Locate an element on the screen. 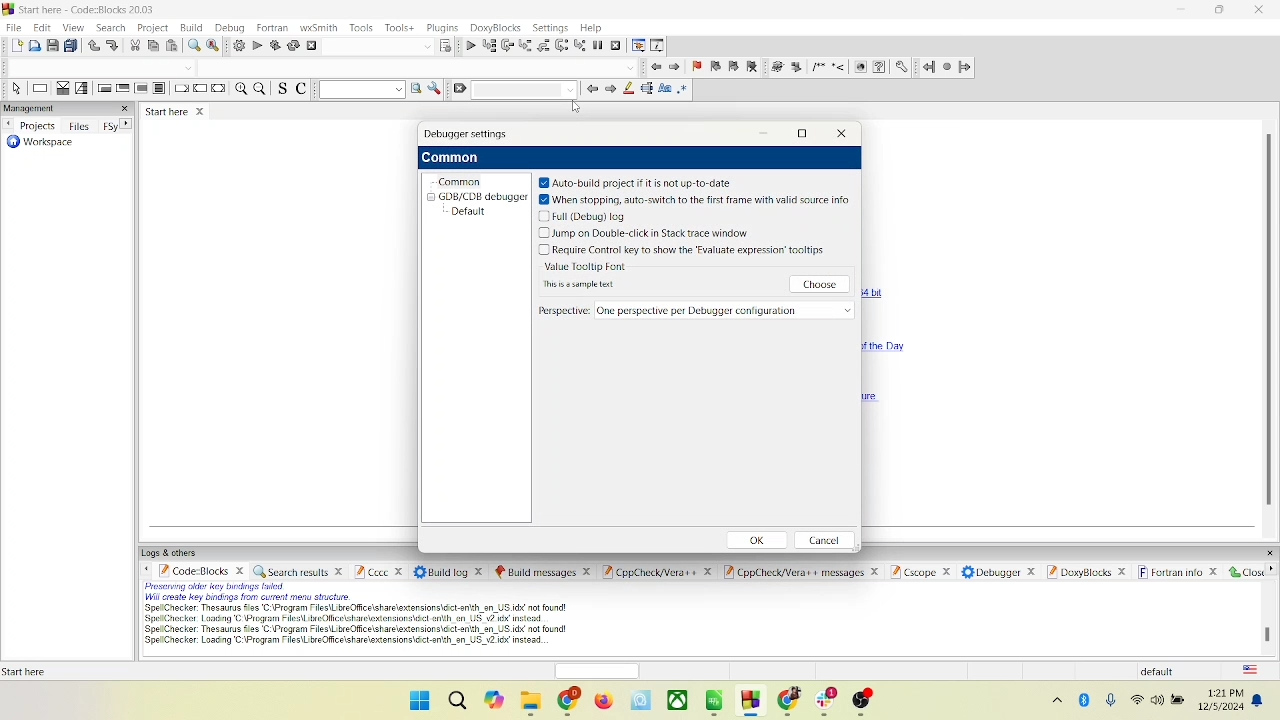 This screenshot has height=720, width=1280. run to cursor is located at coordinates (489, 45).